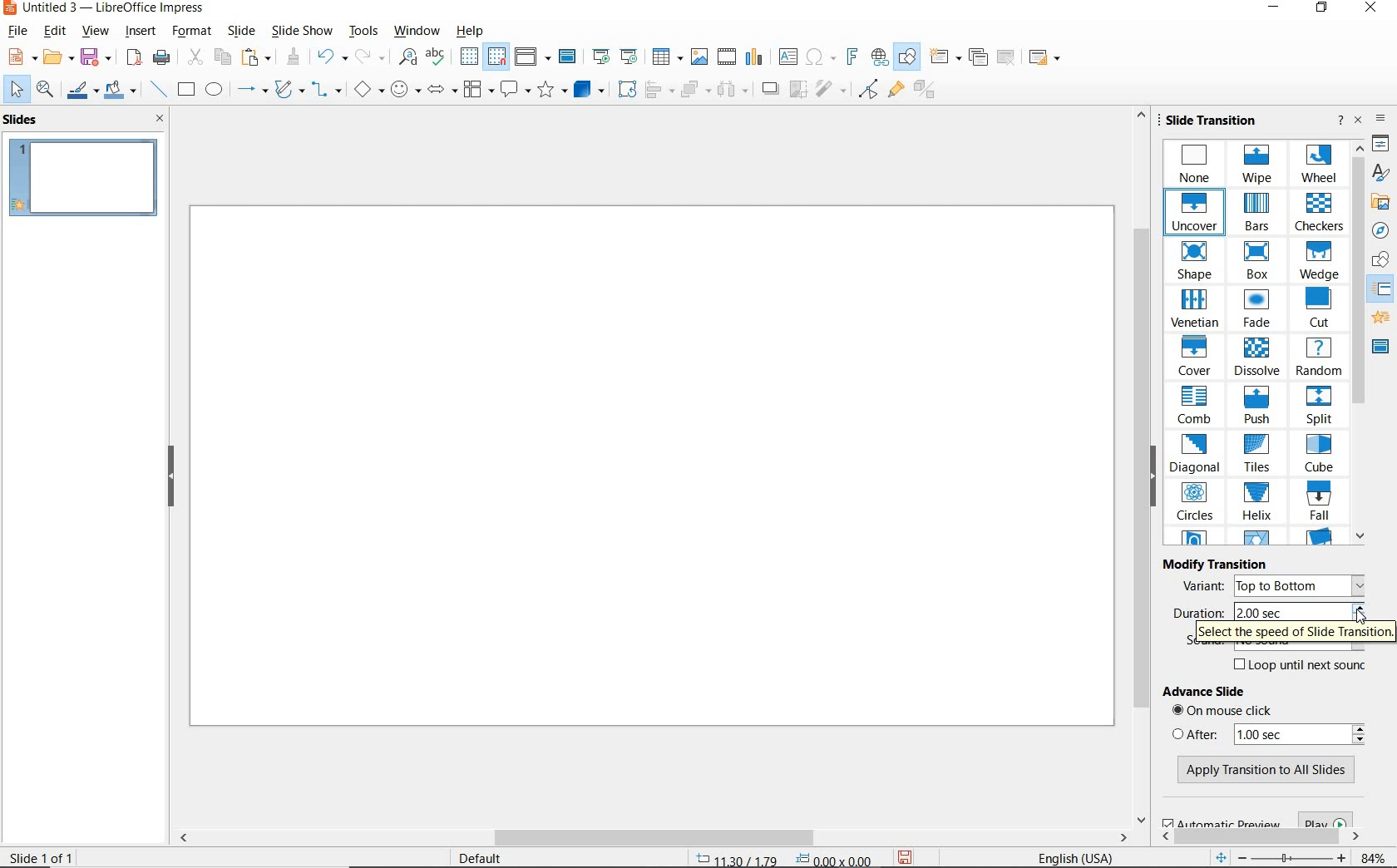 The height and width of the screenshot is (868, 1397). What do you see at coordinates (1271, 733) in the screenshot?
I see `AFTER` at bounding box center [1271, 733].